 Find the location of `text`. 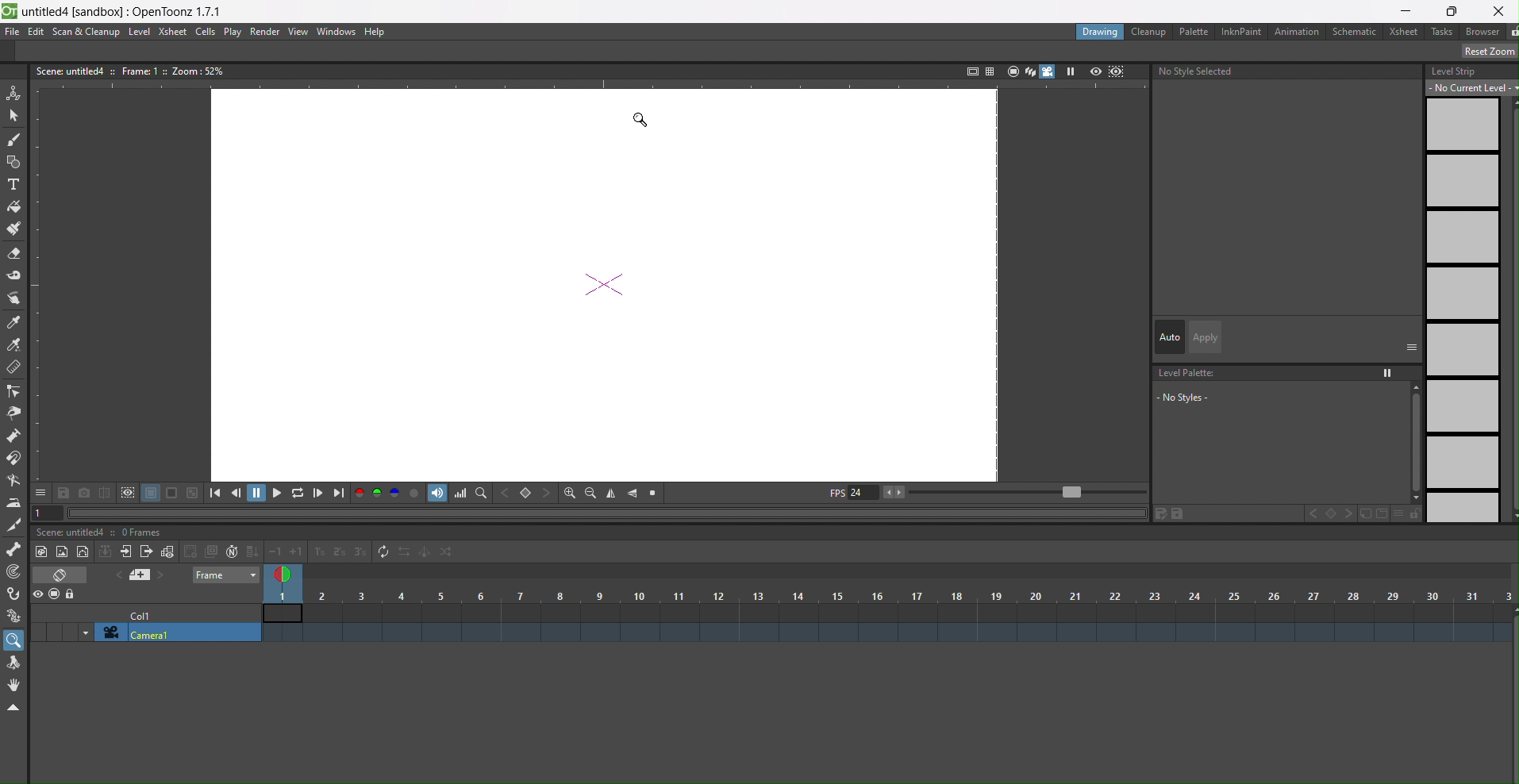

text is located at coordinates (102, 532).